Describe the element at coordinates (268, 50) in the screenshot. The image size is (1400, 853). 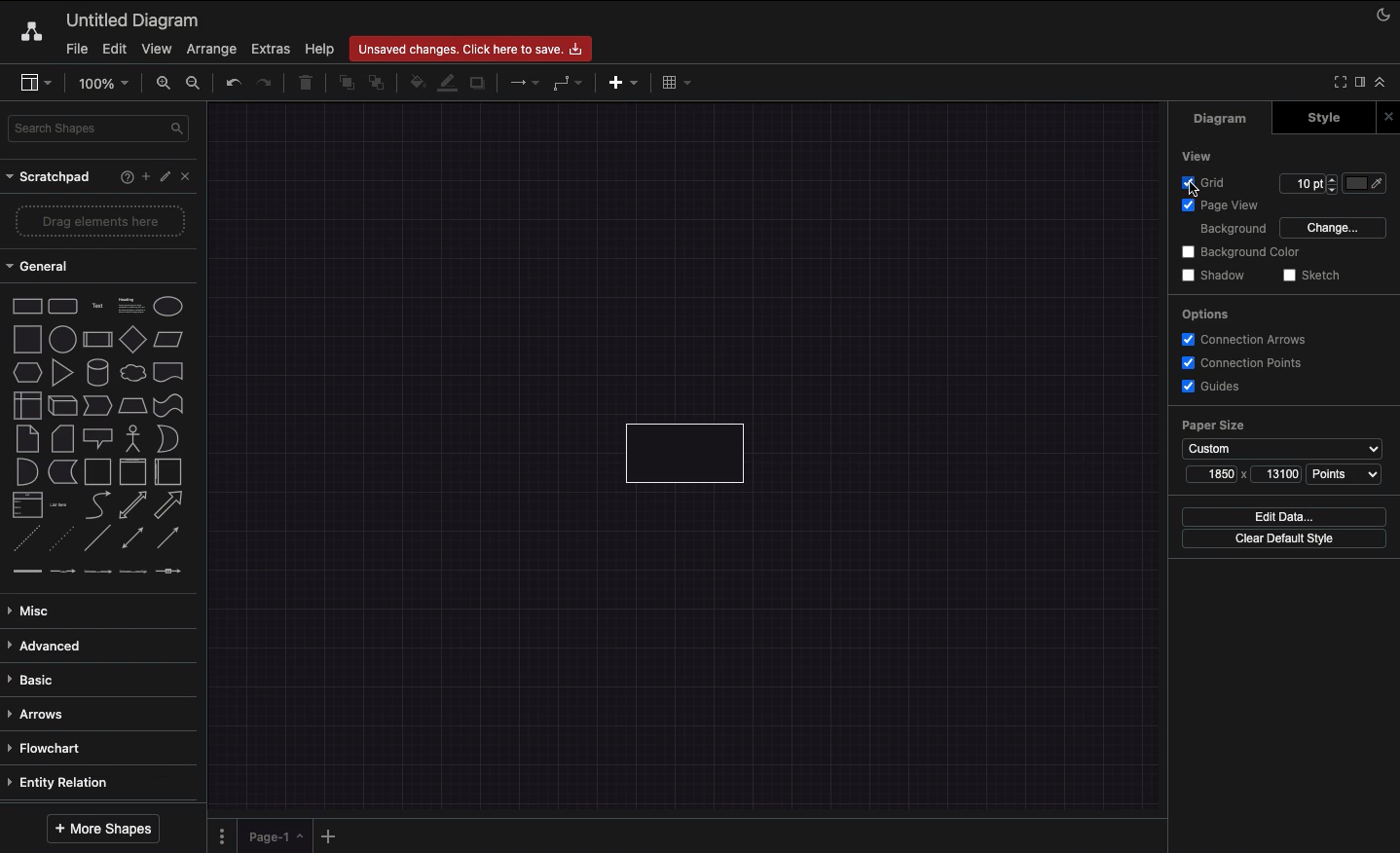
I see `Extras` at that location.